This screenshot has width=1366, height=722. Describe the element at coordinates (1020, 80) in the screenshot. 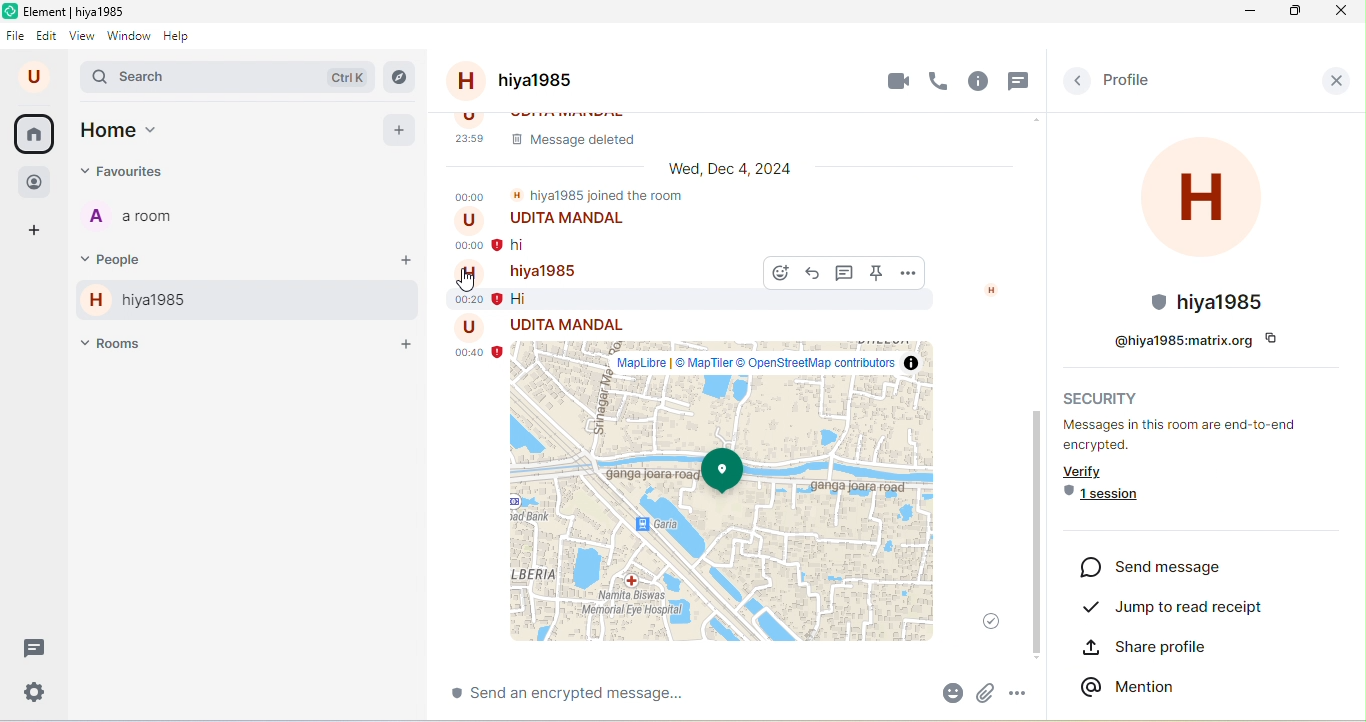

I see `threads` at that location.